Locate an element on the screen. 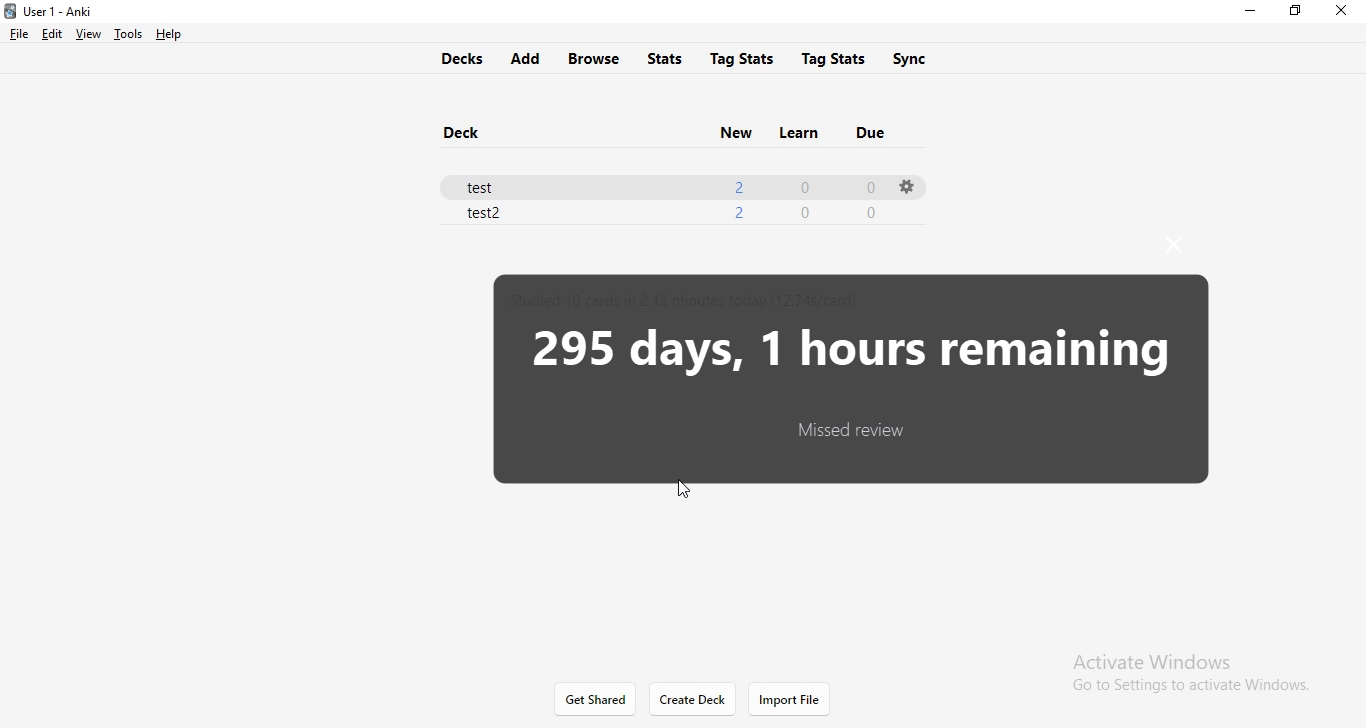  browse is located at coordinates (596, 58).